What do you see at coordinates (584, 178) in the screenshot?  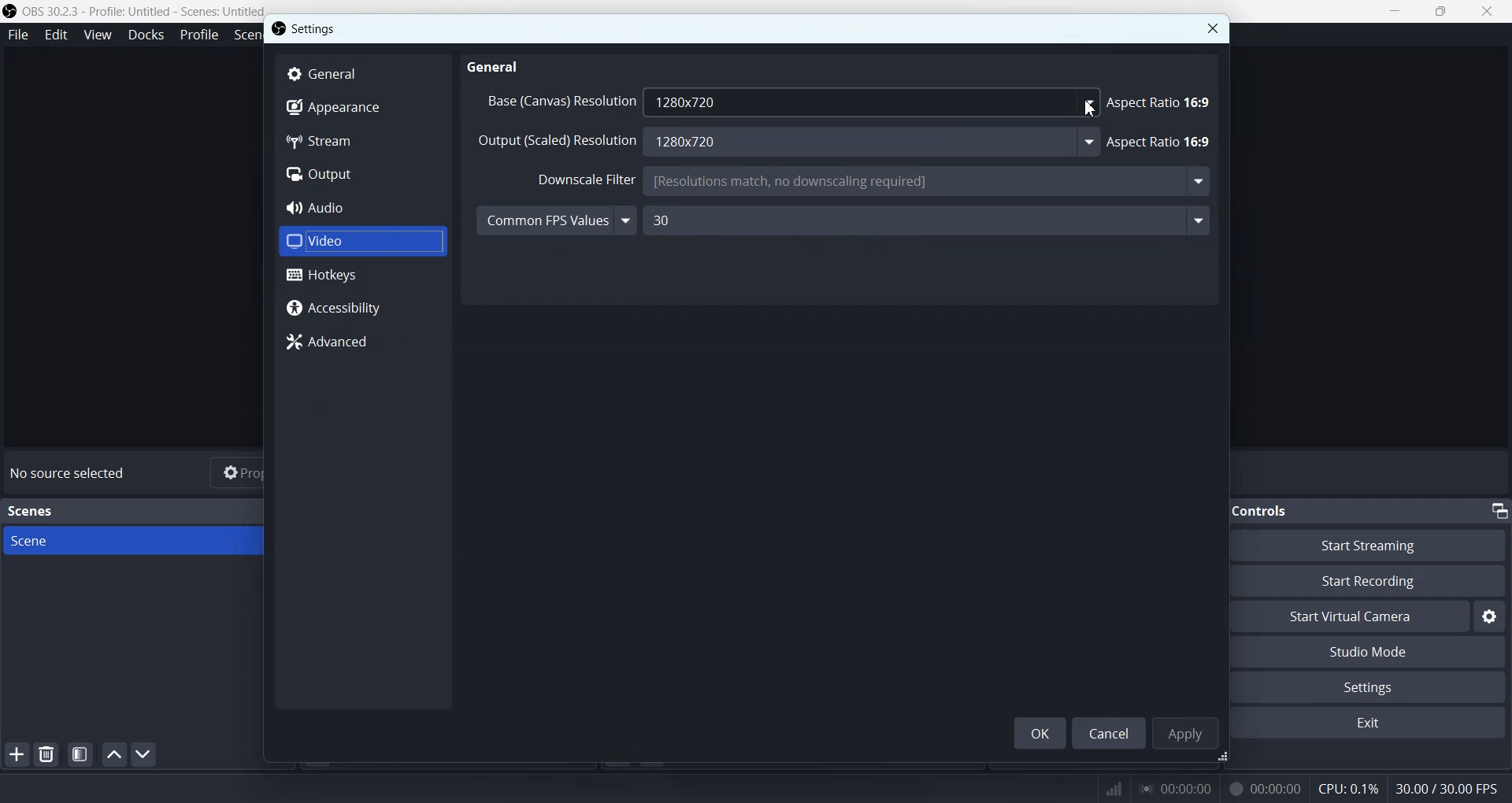 I see `filter` at bounding box center [584, 178].